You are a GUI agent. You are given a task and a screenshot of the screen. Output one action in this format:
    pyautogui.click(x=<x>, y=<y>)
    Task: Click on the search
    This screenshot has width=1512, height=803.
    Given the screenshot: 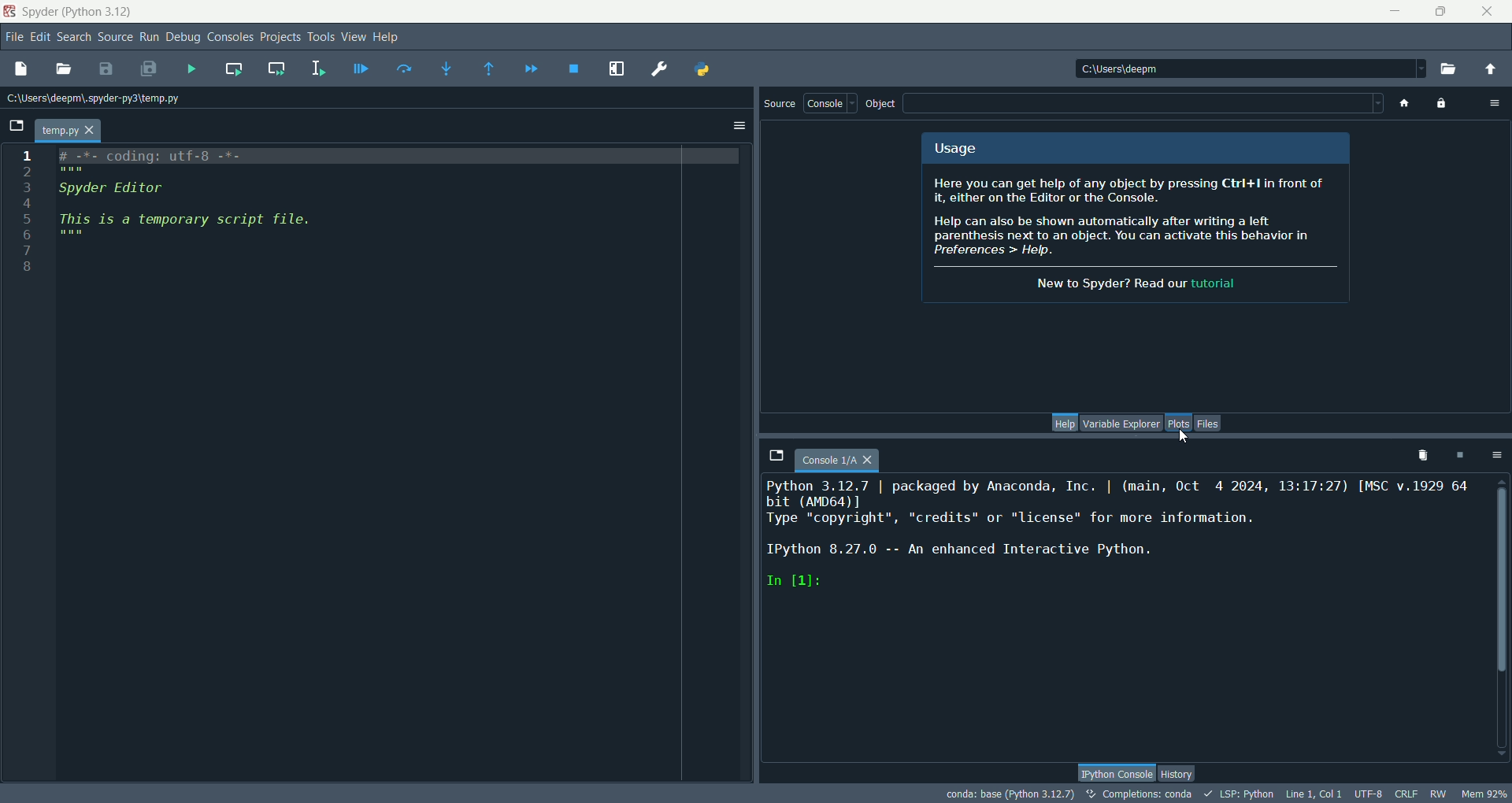 What is the action you would take?
    pyautogui.click(x=74, y=37)
    